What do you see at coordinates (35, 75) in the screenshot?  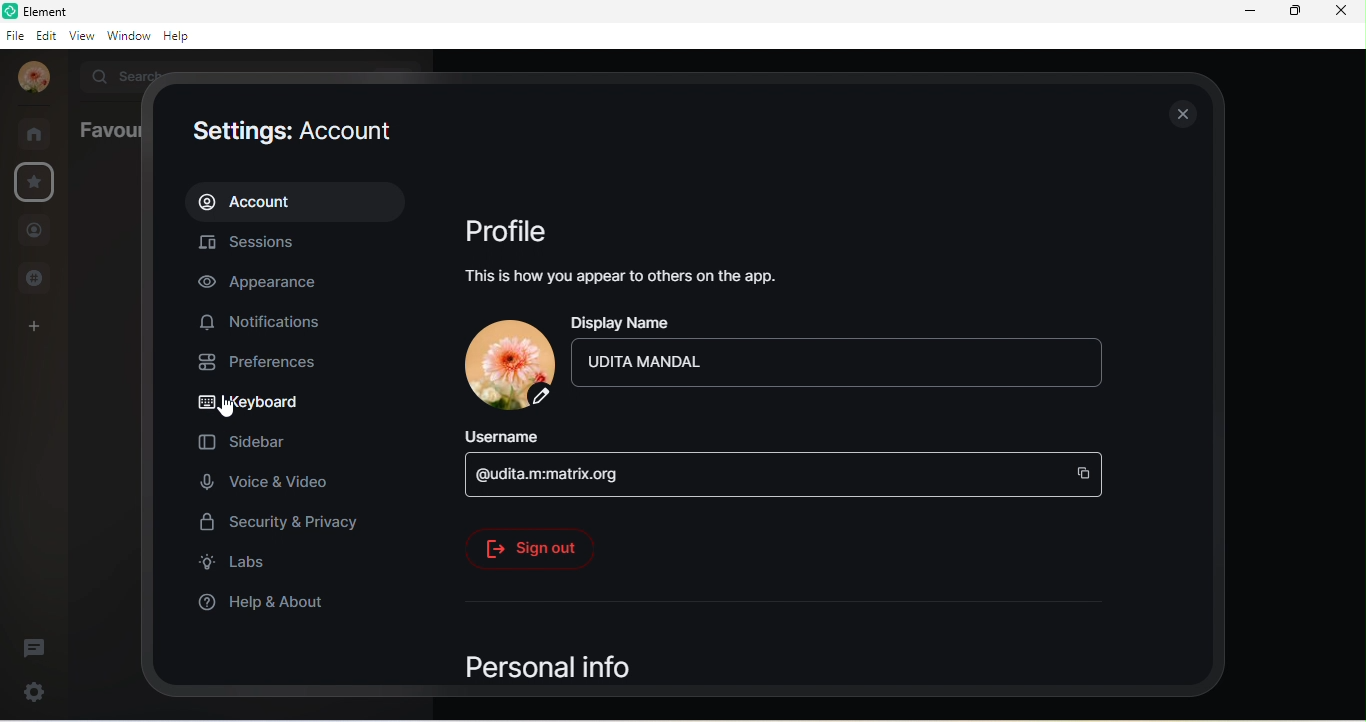 I see `profile photo` at bounding box center [35, 75].